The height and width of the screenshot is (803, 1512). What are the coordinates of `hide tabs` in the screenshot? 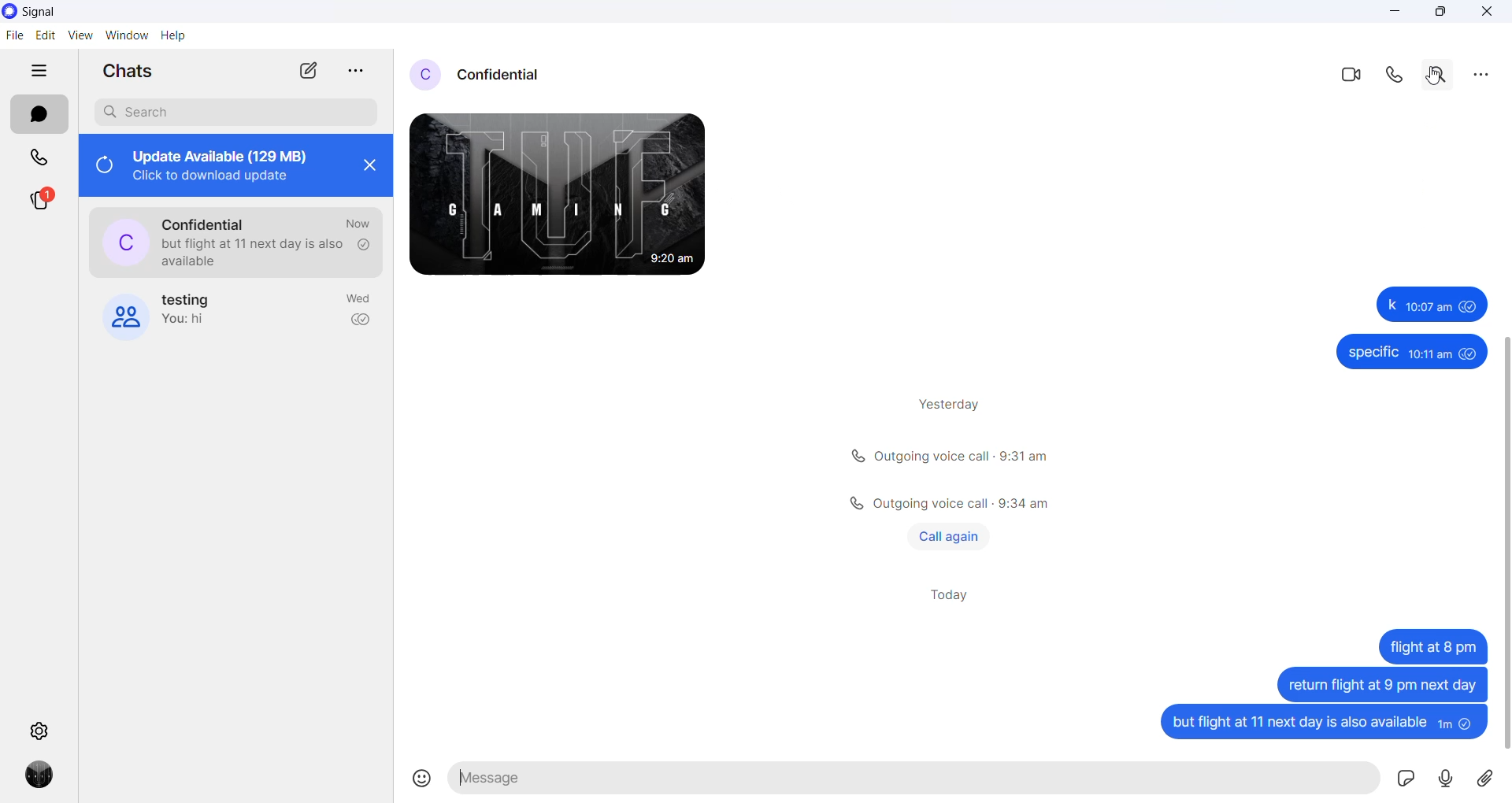 It's located at (39, 72).